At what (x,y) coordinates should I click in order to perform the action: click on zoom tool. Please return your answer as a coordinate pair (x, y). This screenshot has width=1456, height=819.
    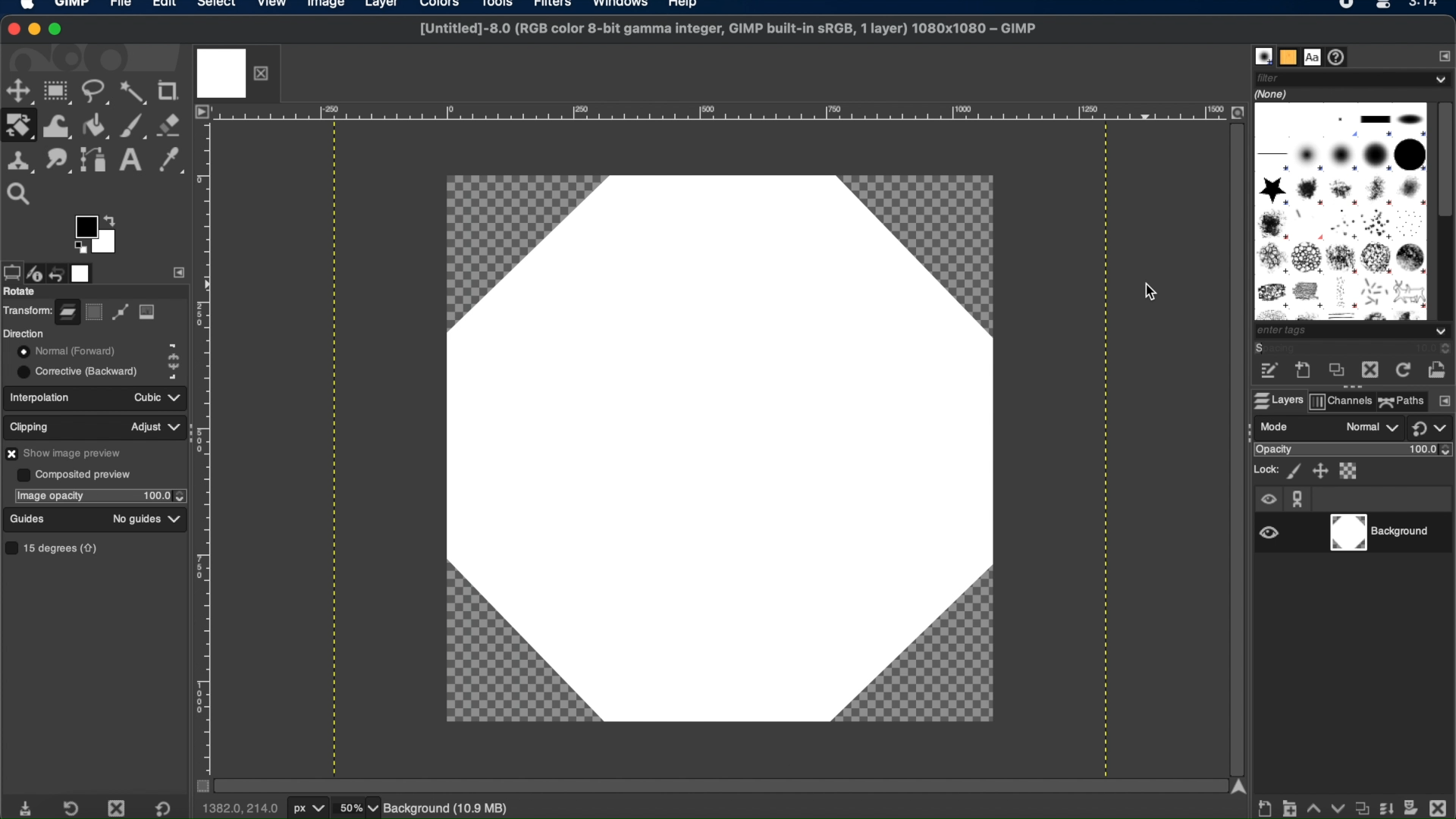
    Looking at the image, I should click on (24, 192).